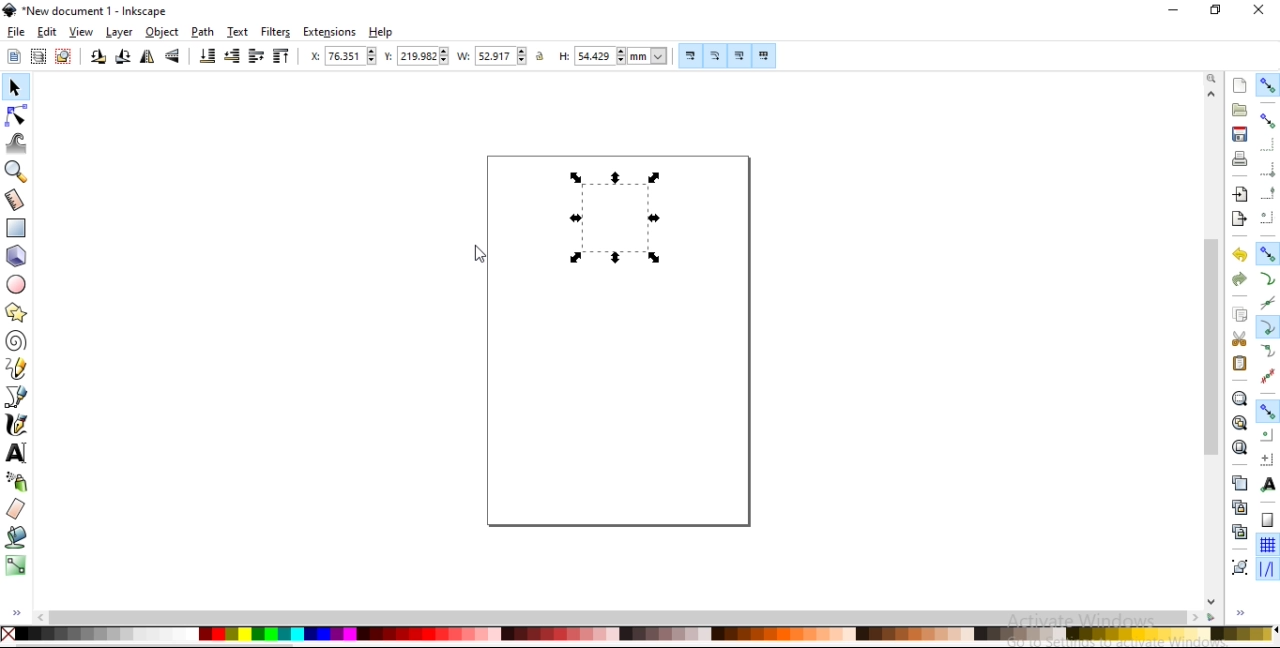 This screenshot has height=648, width=1280. What do you see at coordinates (1268, 253) in the screenshot?
I see `snap nodes, paths and handles` at bounding box center [1268, 253].